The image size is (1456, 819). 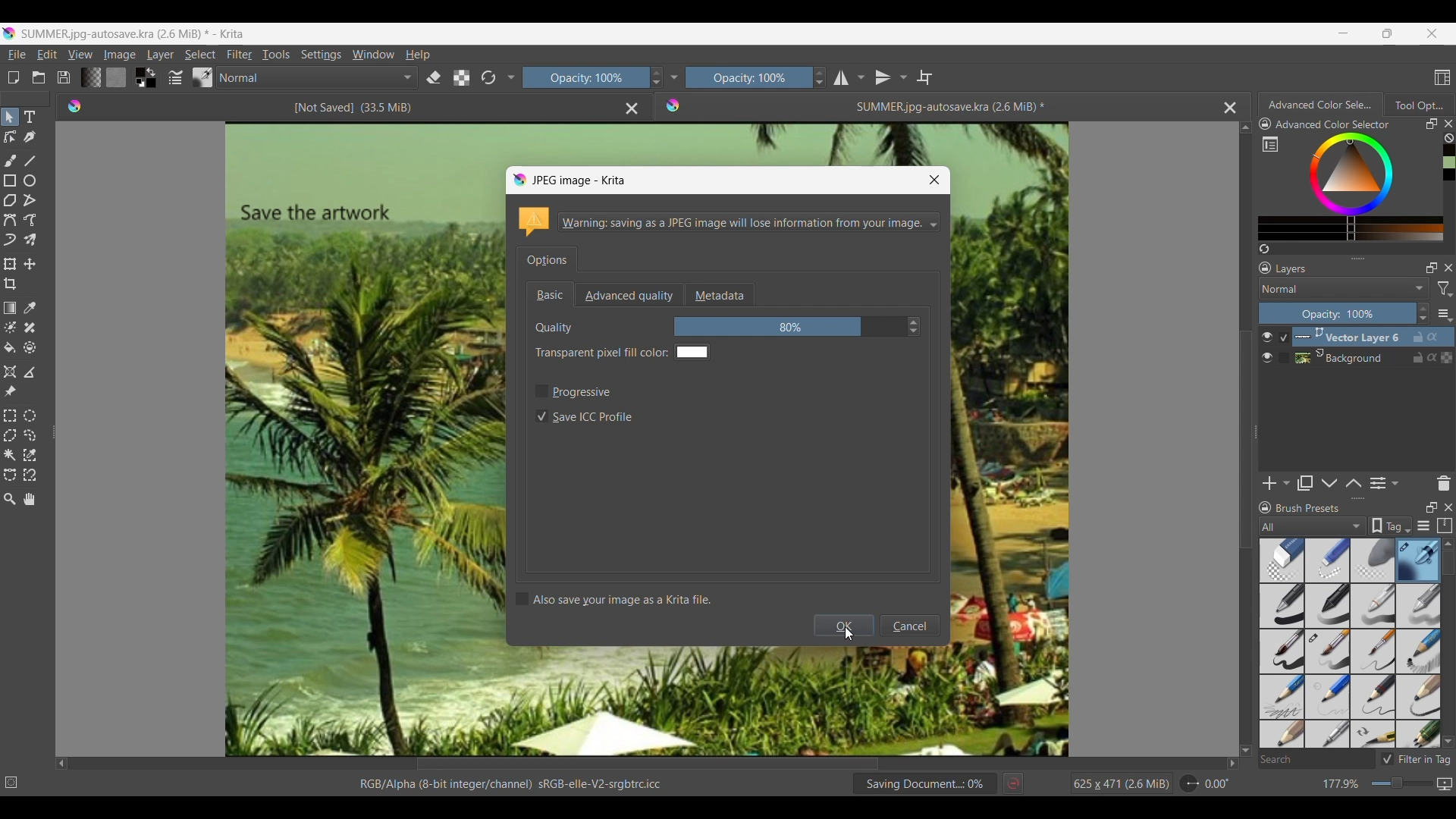 I want to click on Vector layer, so click(x=1373, y=337).